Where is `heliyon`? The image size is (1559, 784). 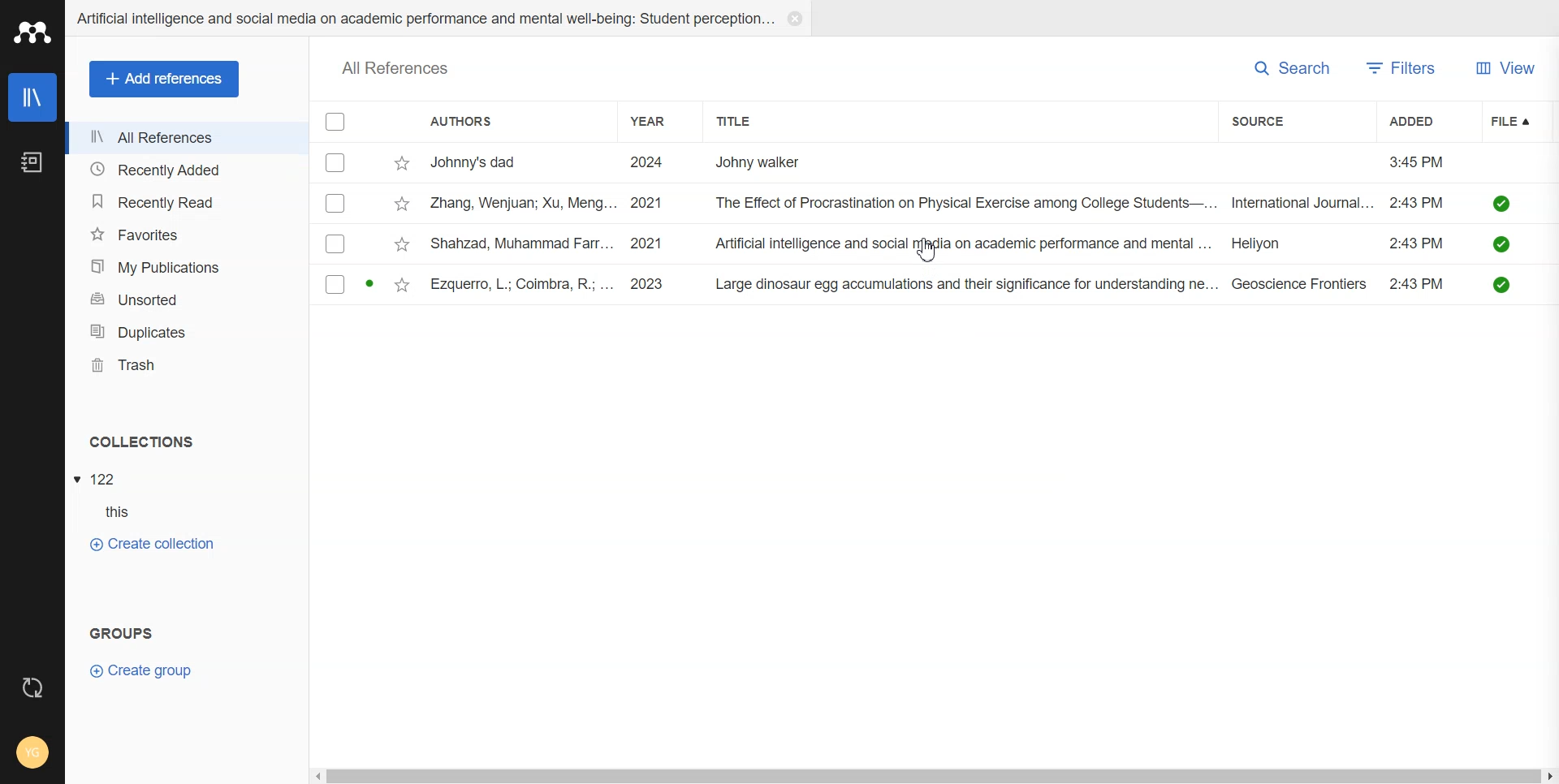
heliyon is located at coordinates (1302, 243).